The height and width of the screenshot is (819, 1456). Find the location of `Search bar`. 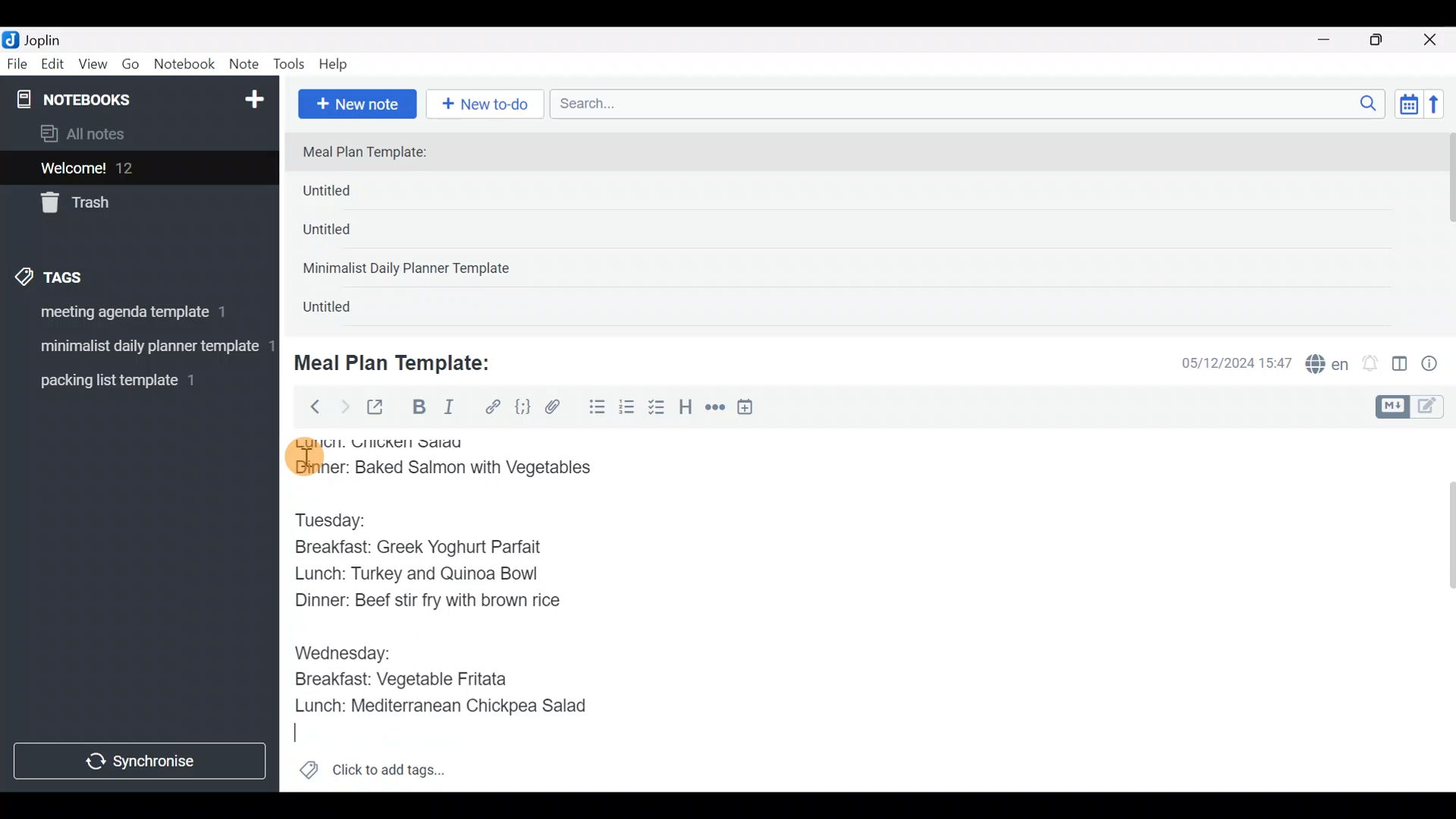

Search bar is located at coordinates (971, 102).